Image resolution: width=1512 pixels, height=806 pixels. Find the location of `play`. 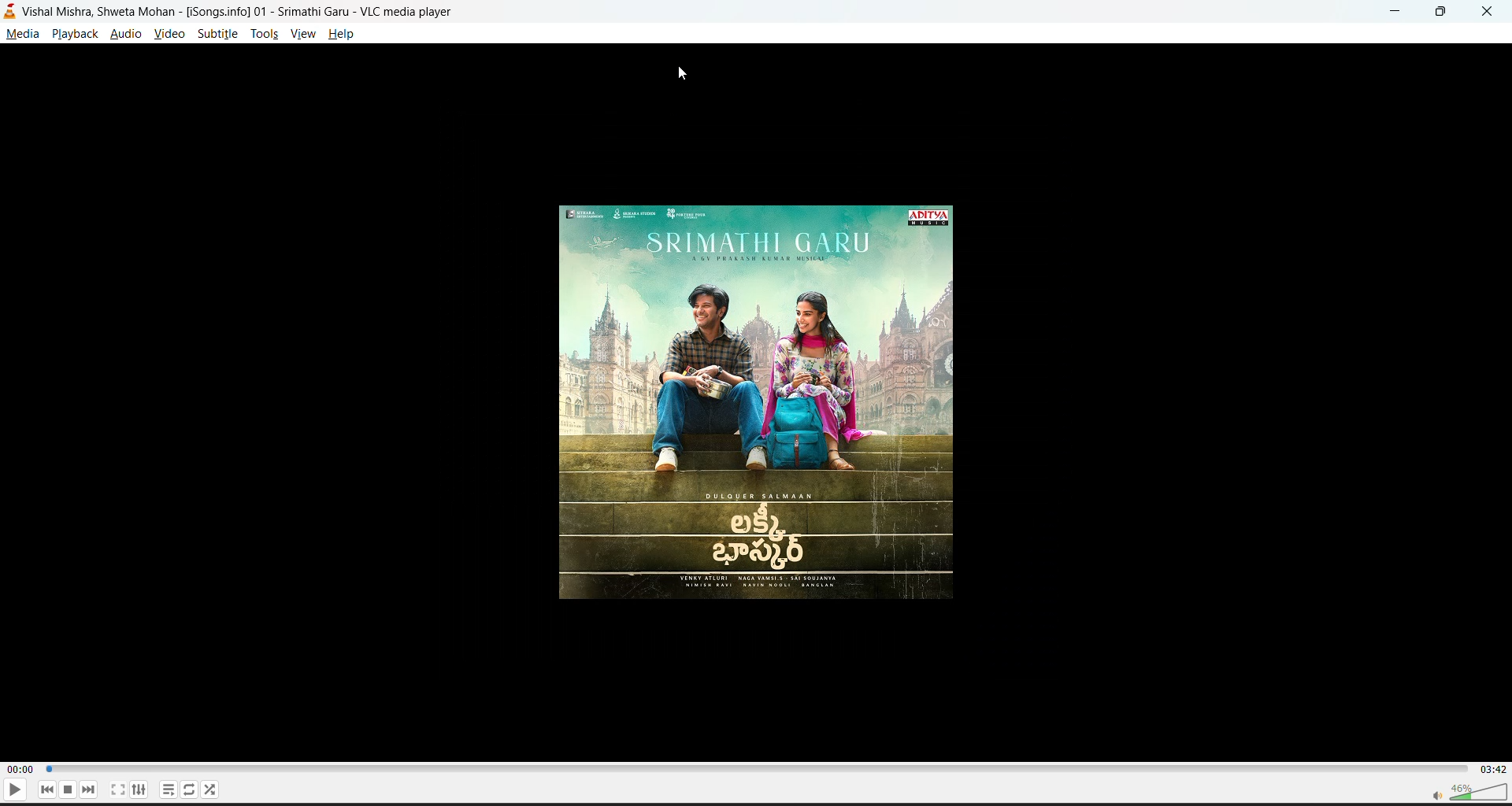

play is located at coordinates (13, 792).